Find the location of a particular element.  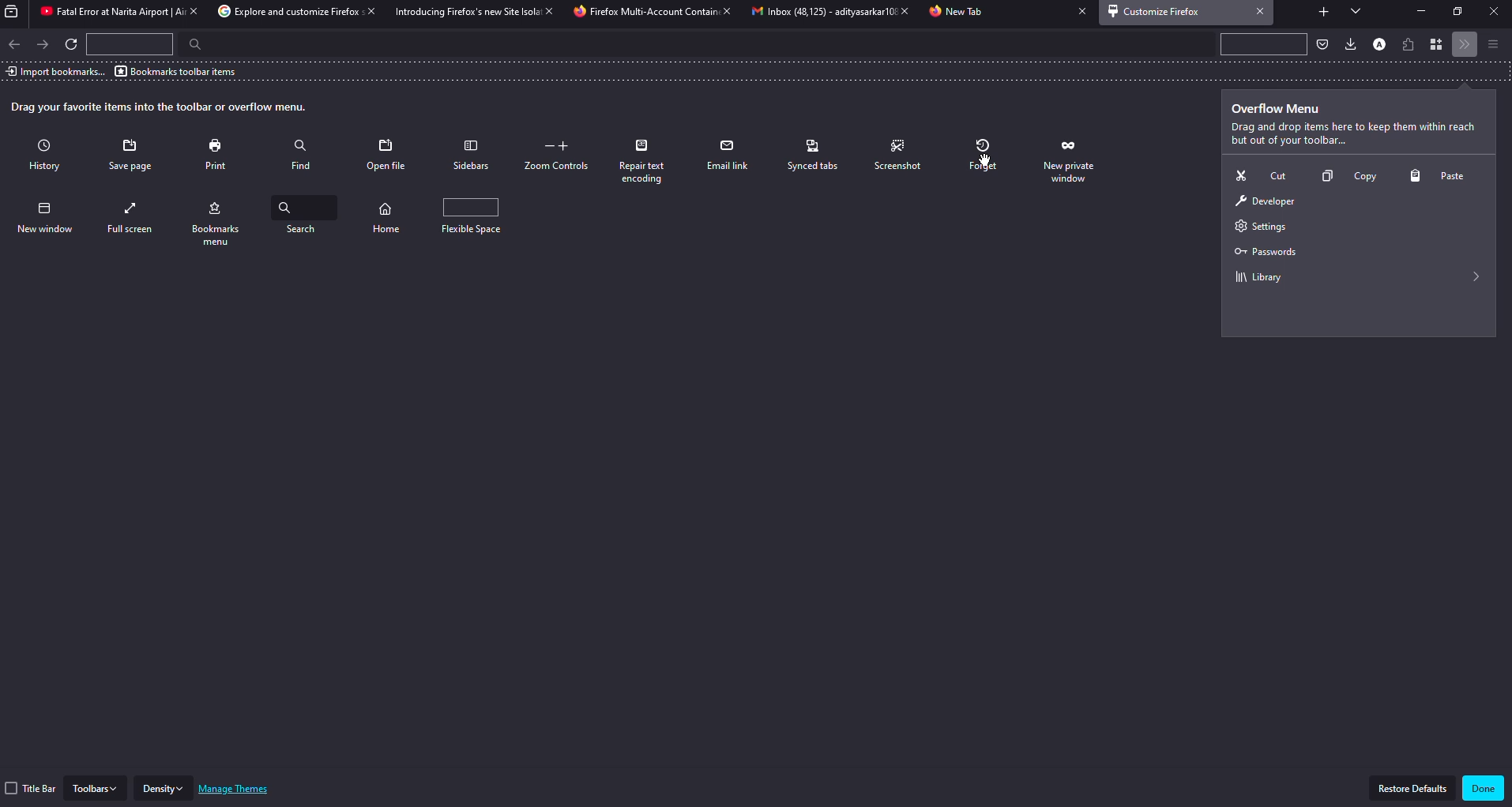

close is located at coordinates (1261, 11).